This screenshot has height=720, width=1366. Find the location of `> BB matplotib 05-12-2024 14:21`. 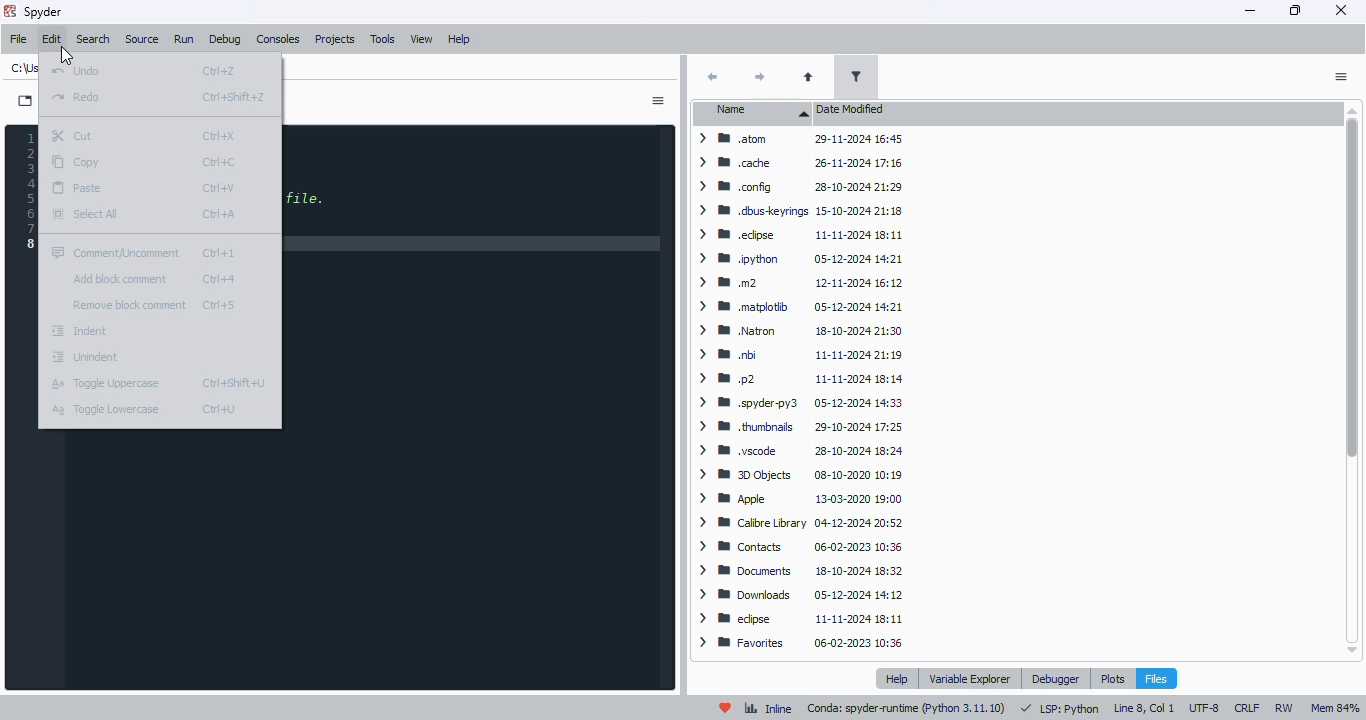

> BB matplotib 05-12-2024 14:21 is located at coordinates (798, 306).